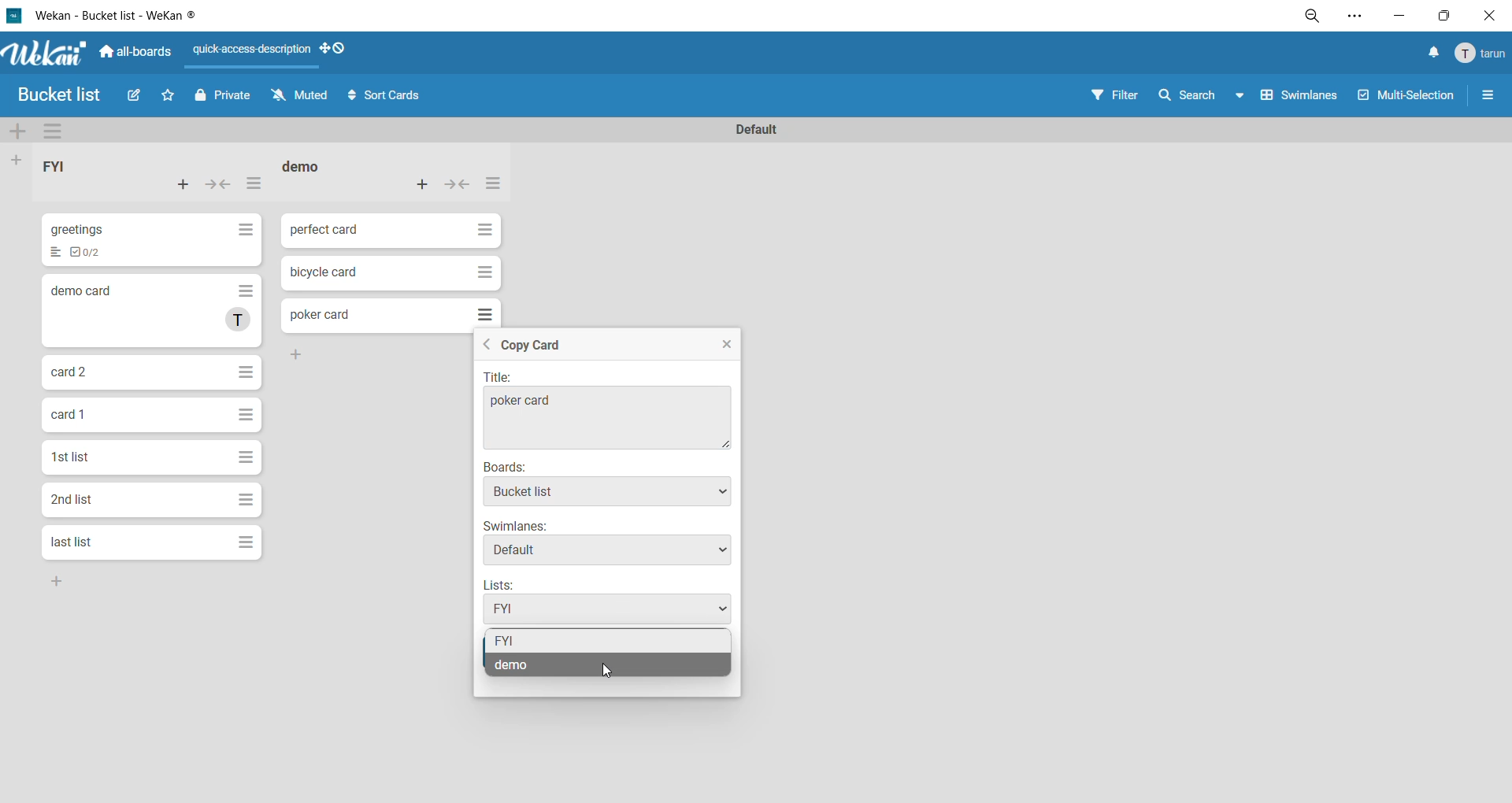 Image resolution: width=1512 pixels, height=803 pixels. What do you see at coordinates (60, 132) in the screenshot?
I see `swimlane actions` at bounding box center [60, 132].